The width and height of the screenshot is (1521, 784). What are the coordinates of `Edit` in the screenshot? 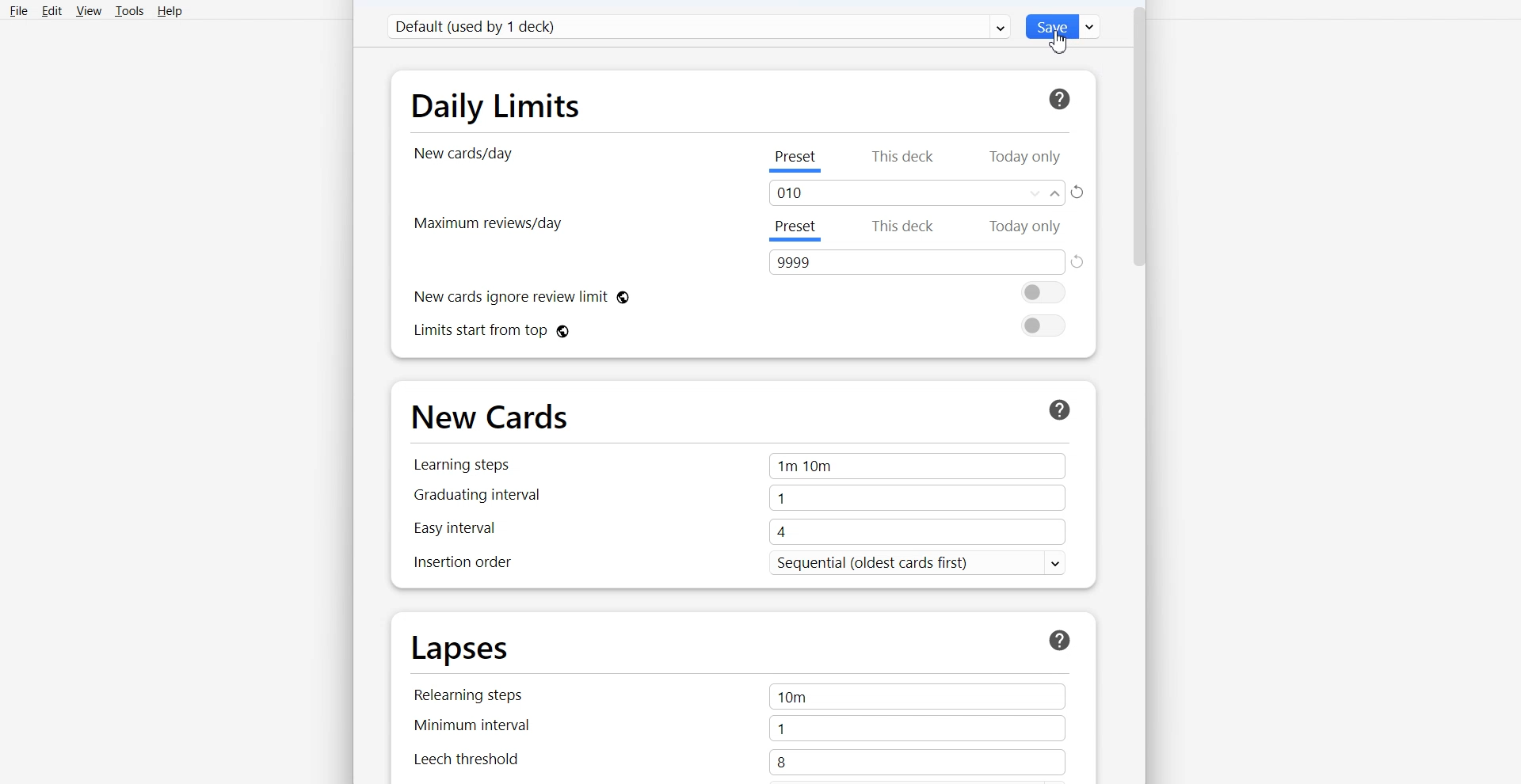 It's located at (51, 10).